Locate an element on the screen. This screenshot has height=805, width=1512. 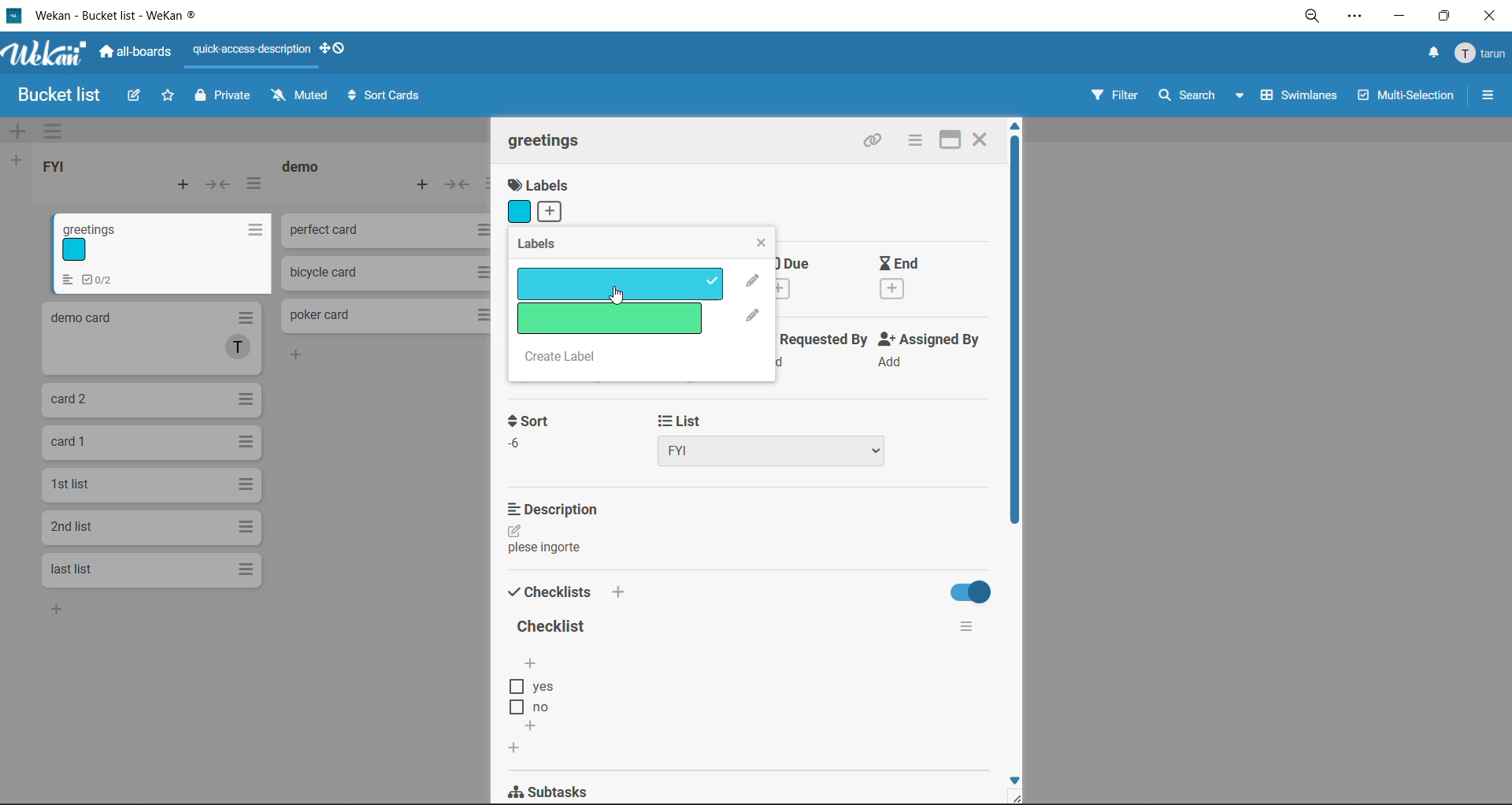
all boards is located at coordinates (136, 54).